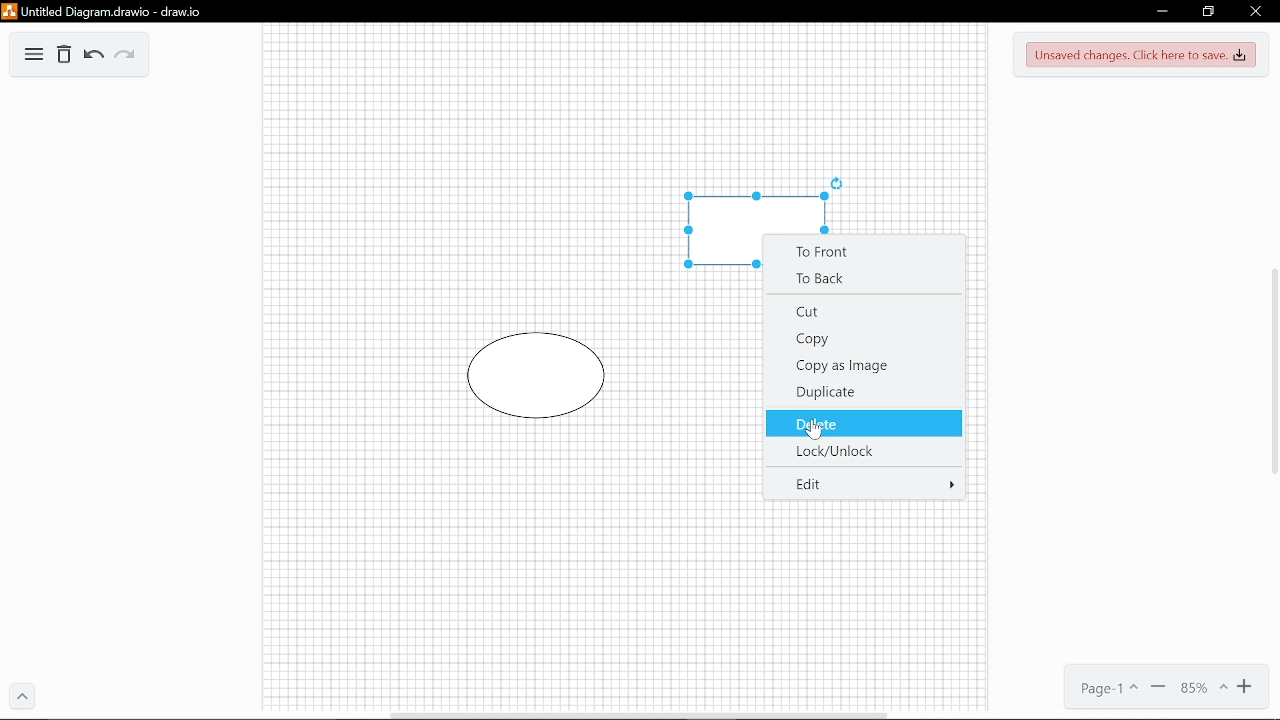  I want to click on To front, so click(866, 250).